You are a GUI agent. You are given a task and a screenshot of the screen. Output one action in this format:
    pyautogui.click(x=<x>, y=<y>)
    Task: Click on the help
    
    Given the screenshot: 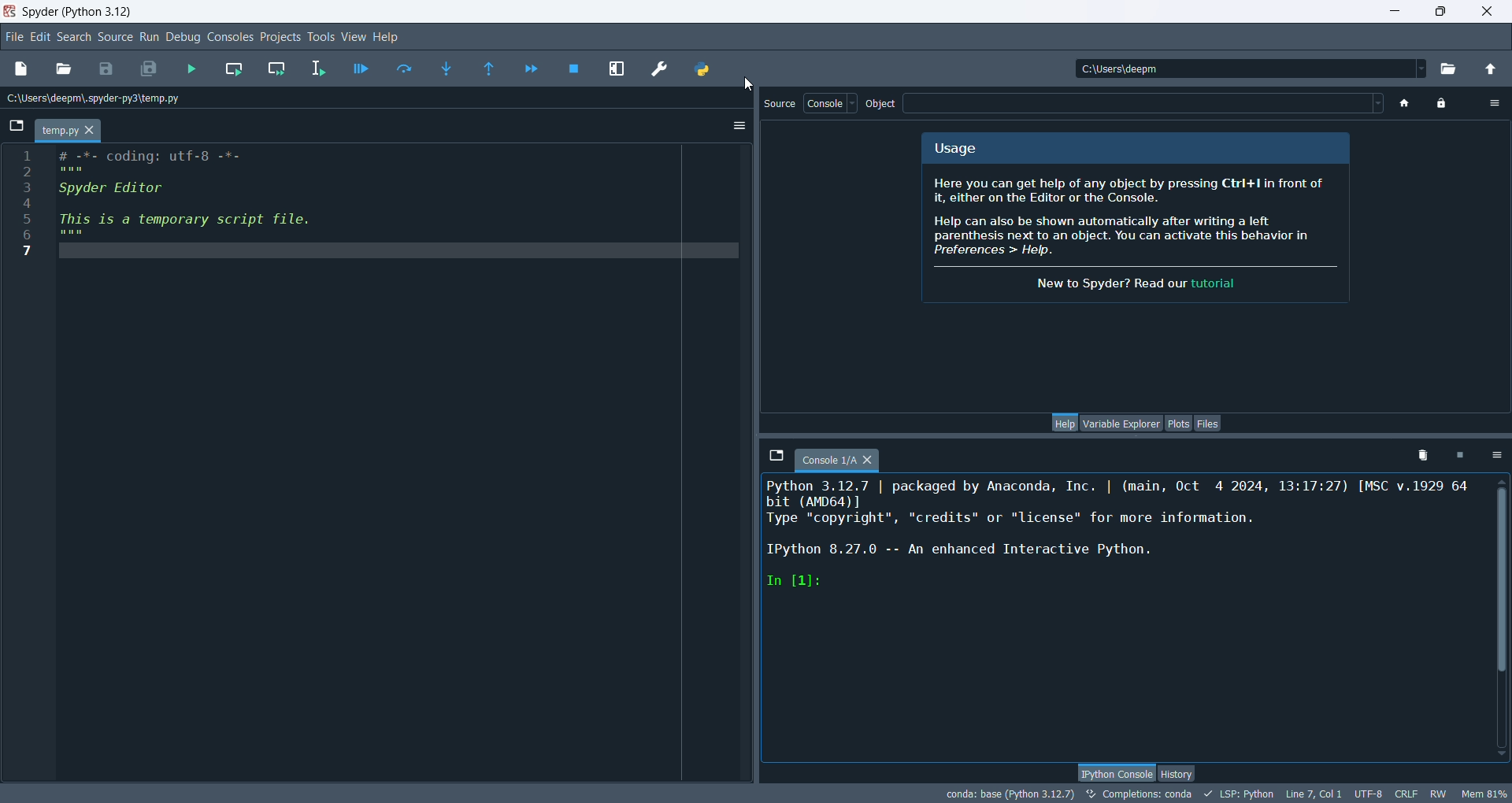 What is the action you would take?
    pyautogui.click(x=1062, y=423)
    